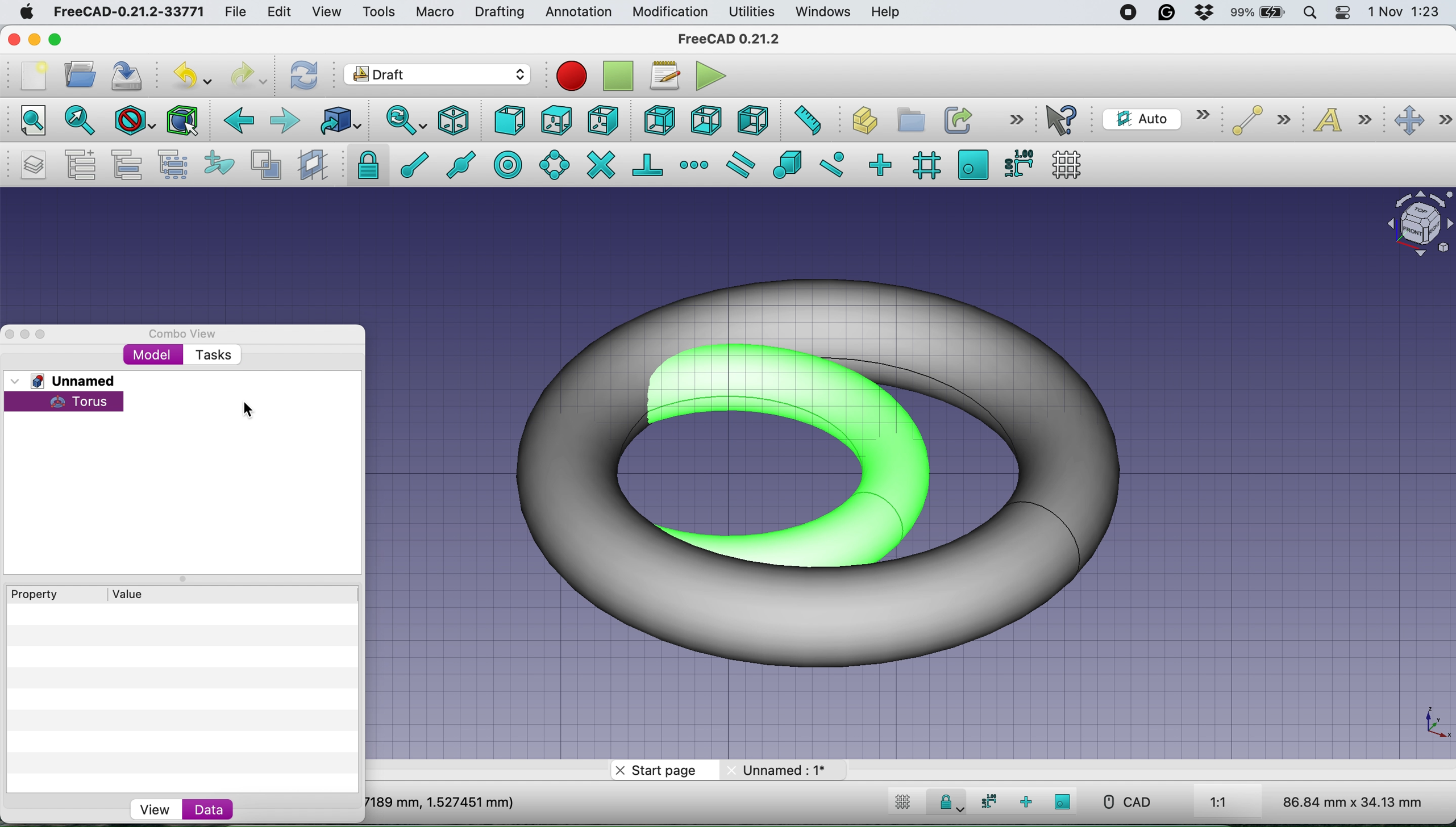 The width and height of the screenshot is (1456, 827). What do you see at coordinates (658, 122) in the screenshot?
I see `rear` at bounding box center [658, 122].